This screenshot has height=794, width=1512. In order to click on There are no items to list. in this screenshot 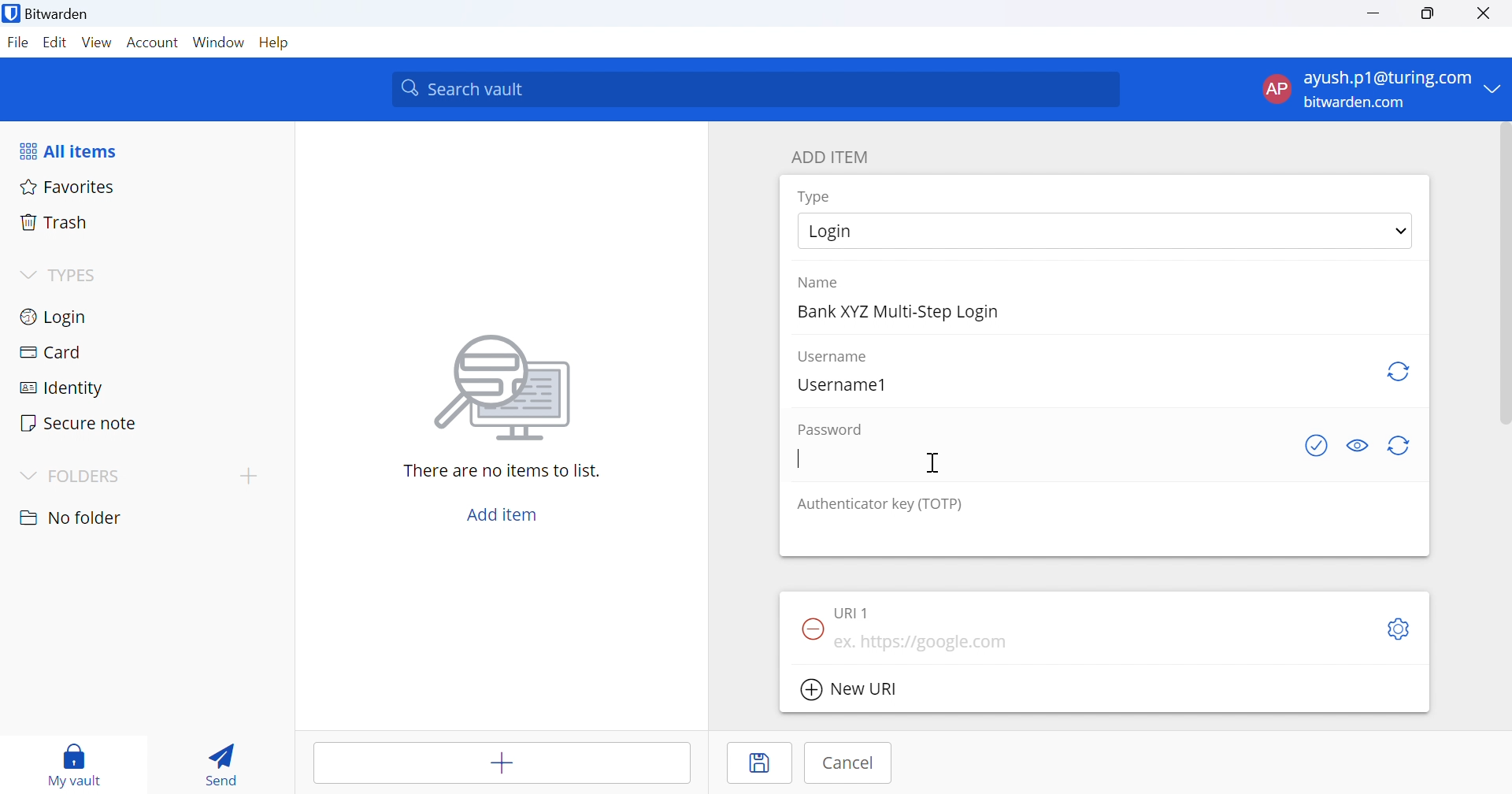, I will do `click(502, 471)`.